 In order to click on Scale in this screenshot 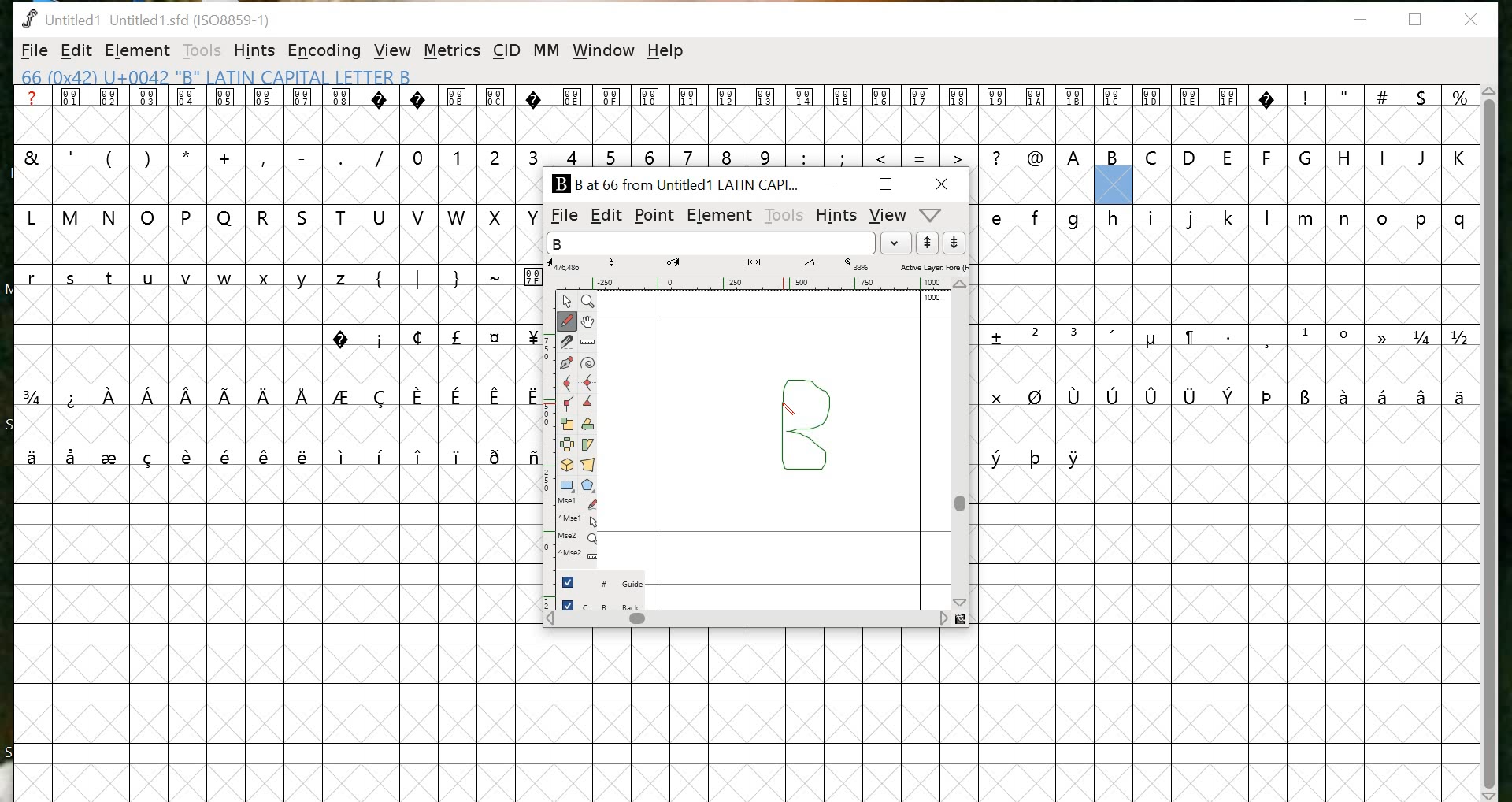, I will do `click(568, 427)`.